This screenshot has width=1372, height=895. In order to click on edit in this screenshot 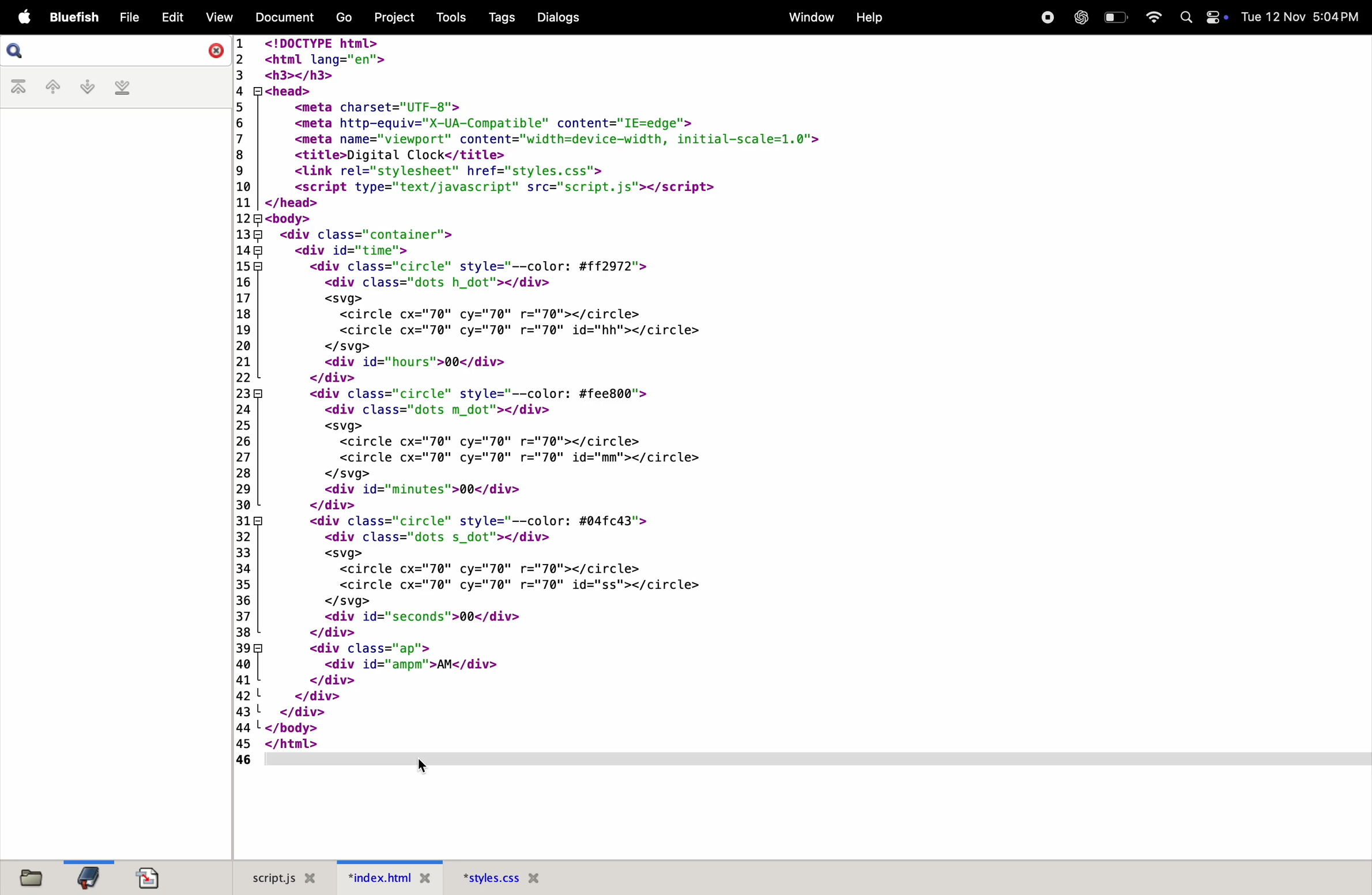, I will do `click(170, 16)`.